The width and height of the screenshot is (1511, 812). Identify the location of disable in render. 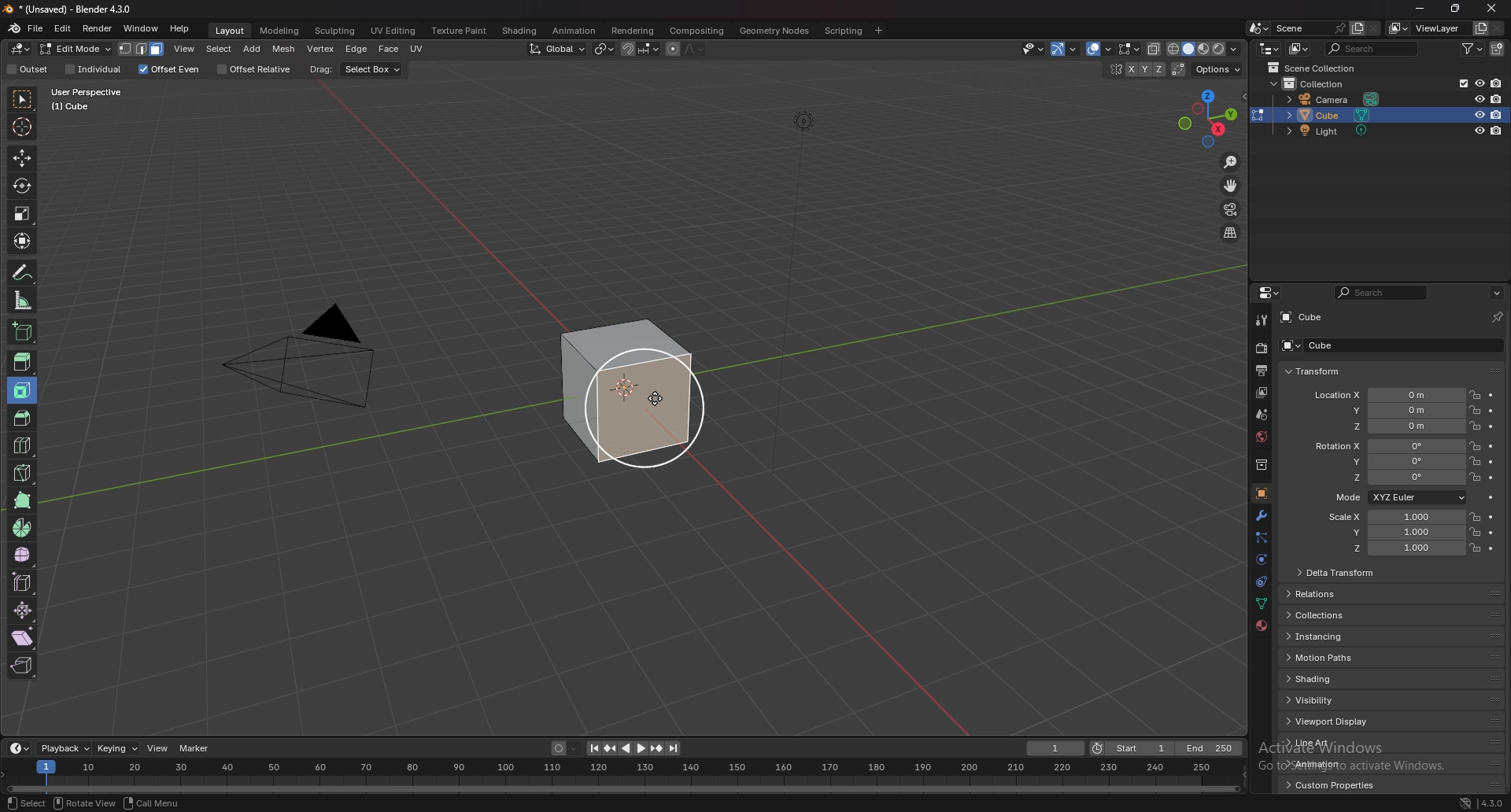
(1495, 83).